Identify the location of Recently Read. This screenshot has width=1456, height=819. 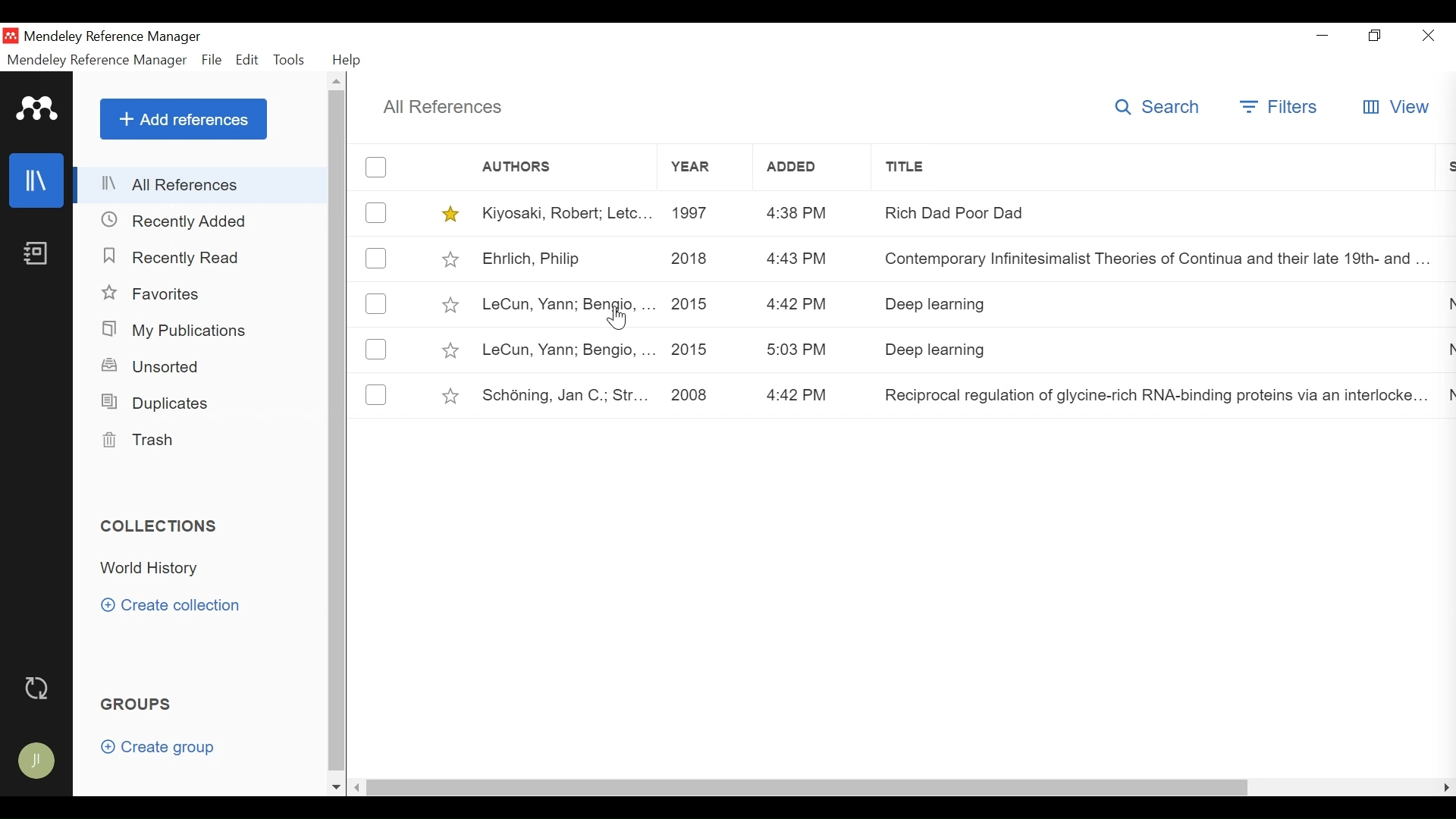
(174, 257).